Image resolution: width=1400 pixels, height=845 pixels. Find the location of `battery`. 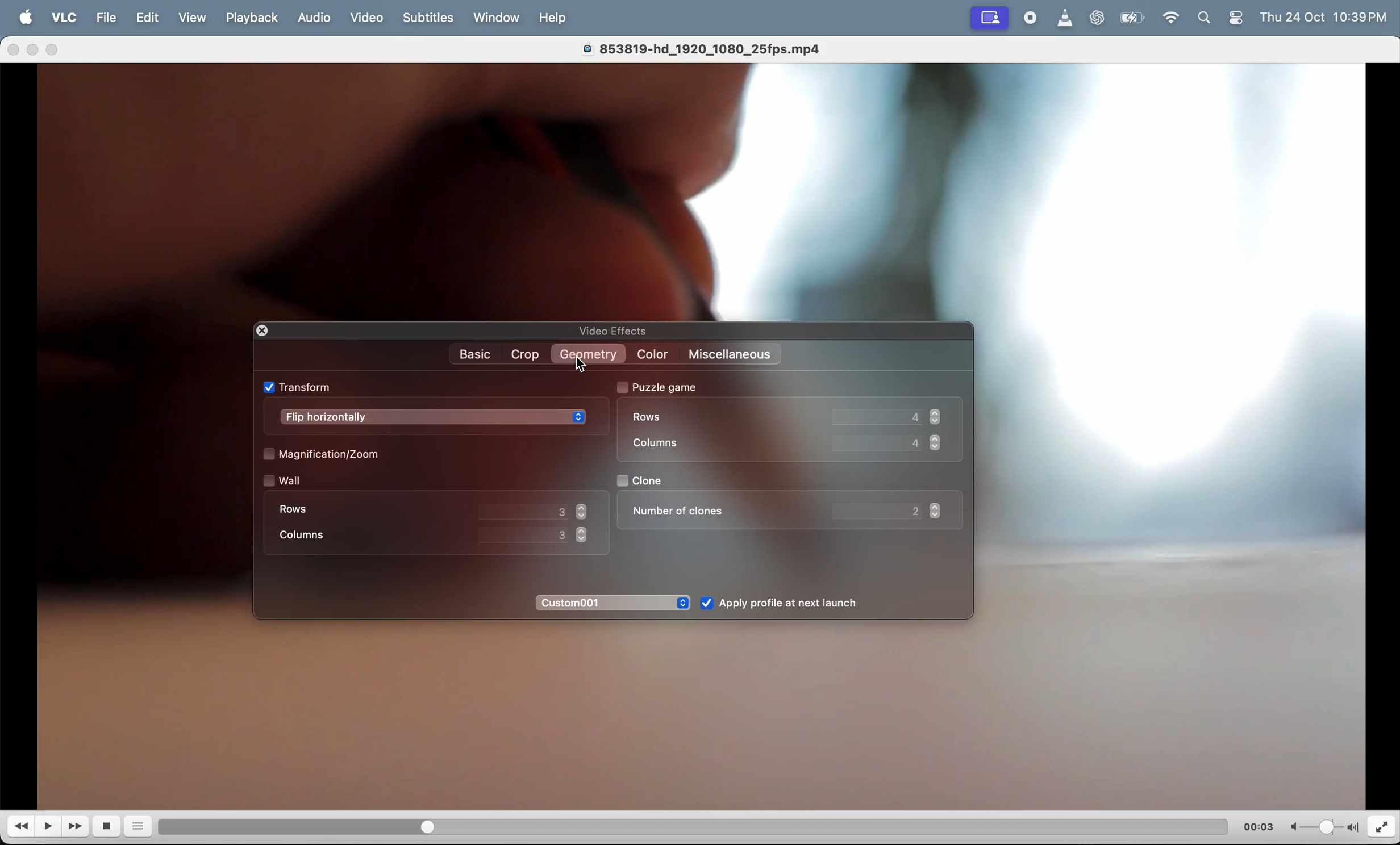

battery is located at coordinates (1132, 19).